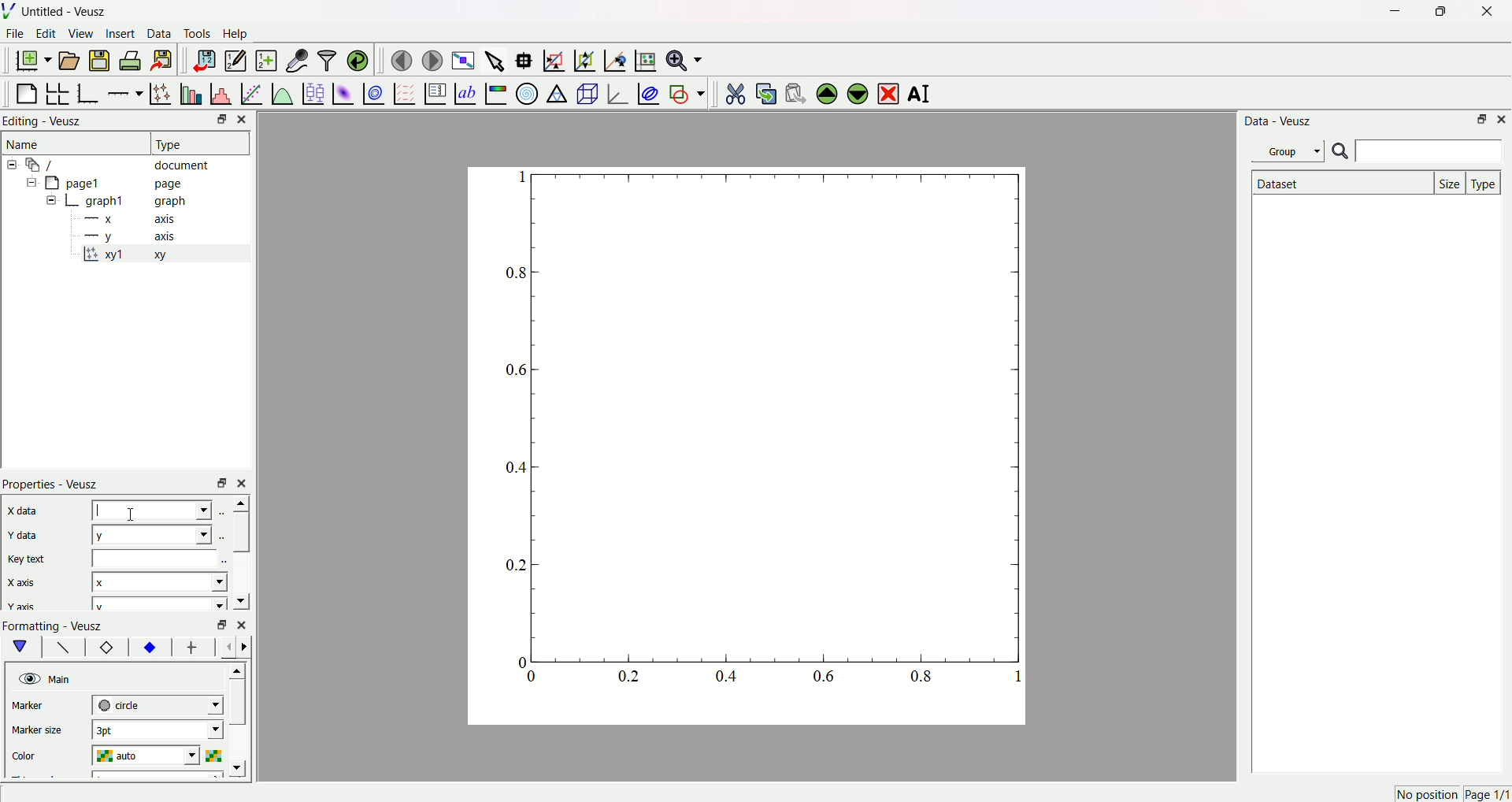  I want to click on move up, so click(239, 668).